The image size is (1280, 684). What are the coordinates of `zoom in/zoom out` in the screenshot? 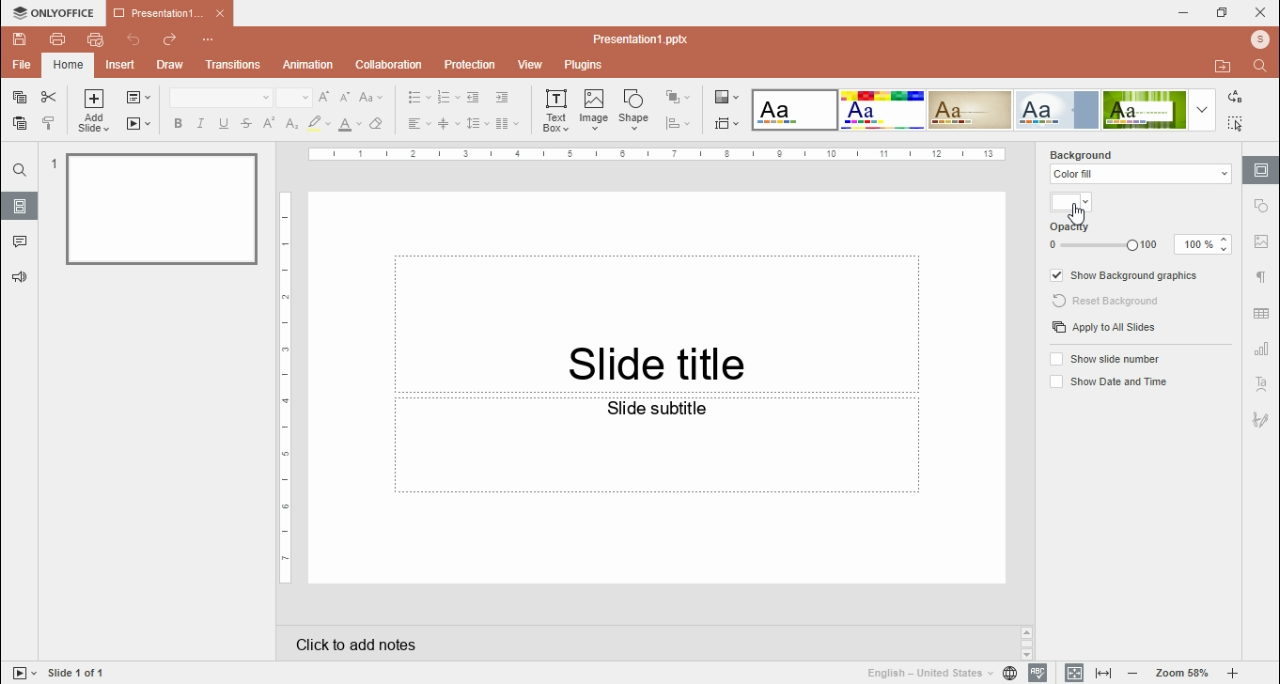 It's located at (1182, 674).